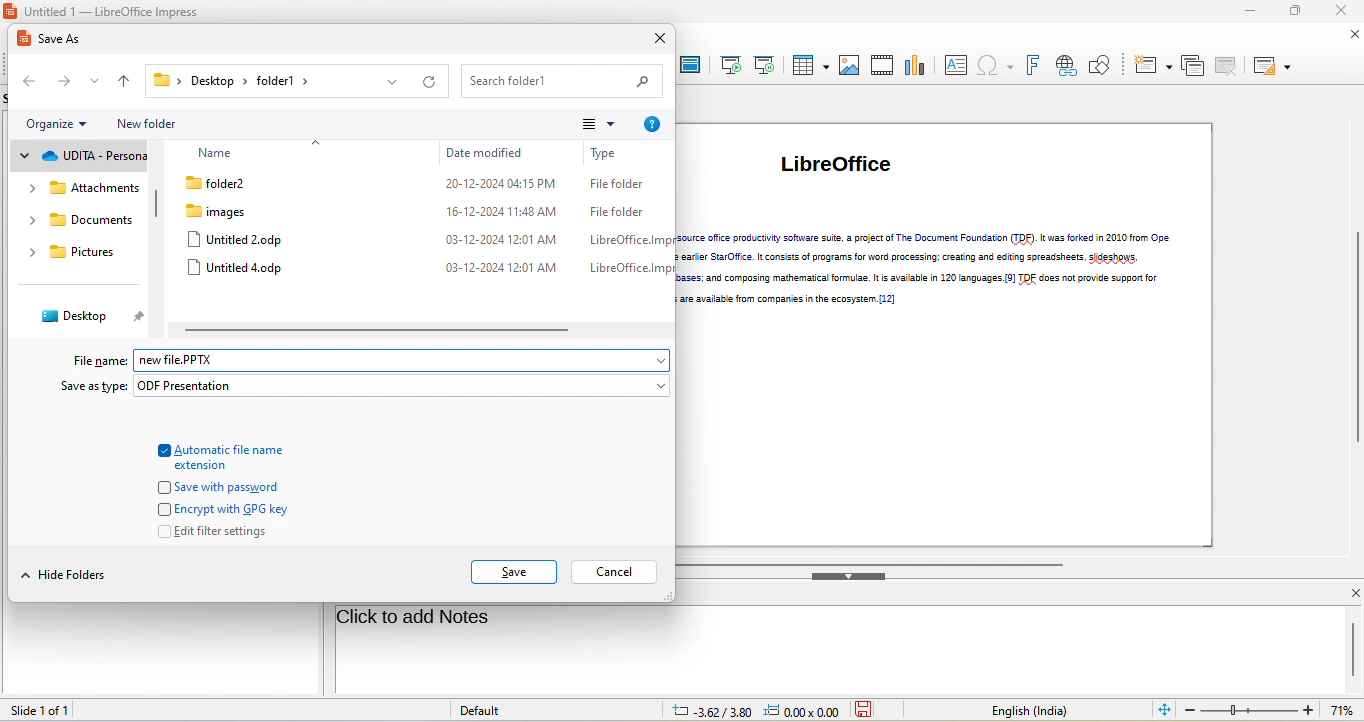 The width and height of the screenshot is (1364, 722). Describe the element at coordinates (28, 80) in the screenshot. I see `back` at that location.